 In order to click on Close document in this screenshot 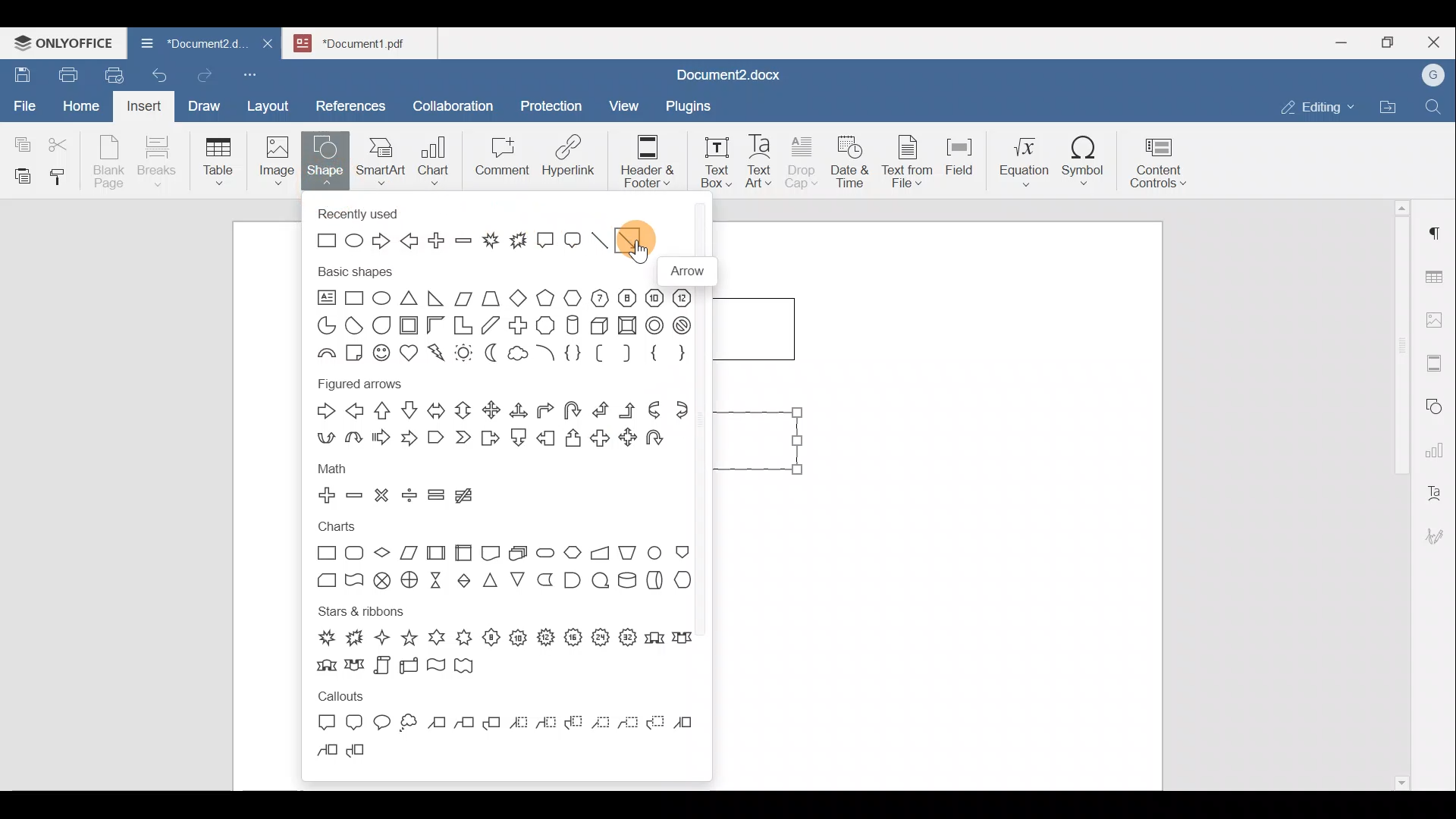, I will do `click(268, 45)`.